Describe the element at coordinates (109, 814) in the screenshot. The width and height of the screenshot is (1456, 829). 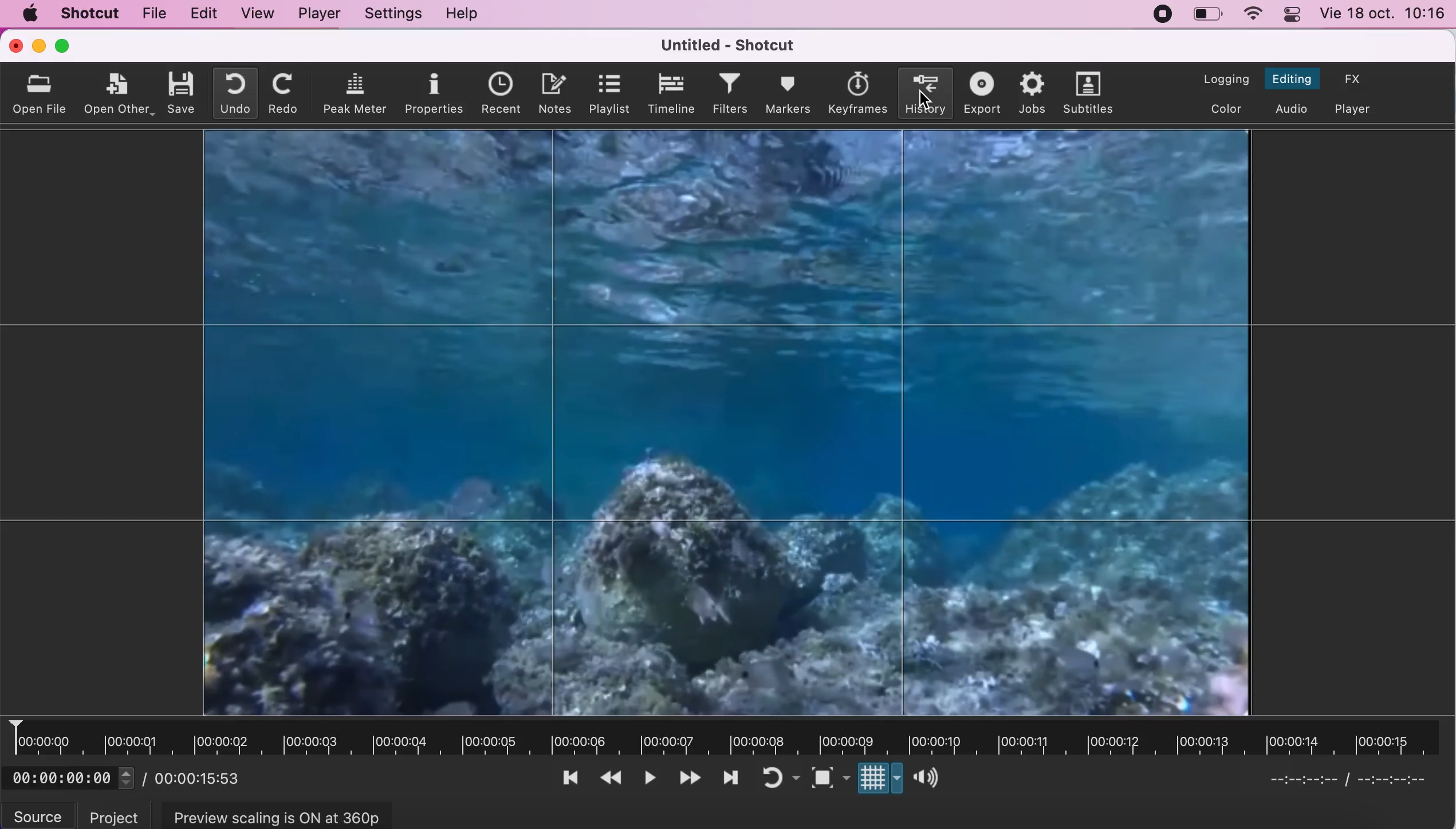
I see `project` at that location.